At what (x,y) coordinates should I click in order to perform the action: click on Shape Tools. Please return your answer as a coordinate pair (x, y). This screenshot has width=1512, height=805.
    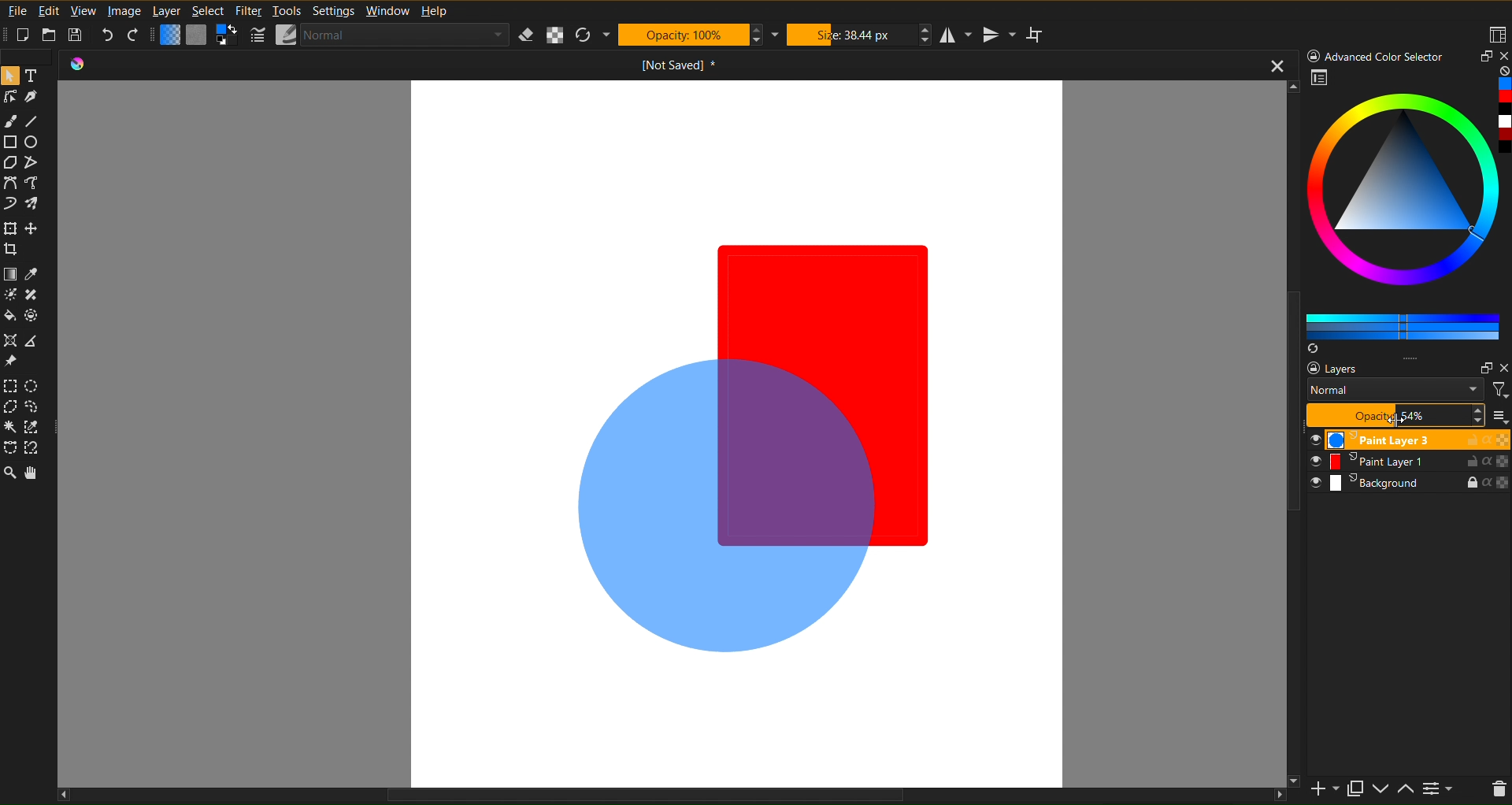
    Looking at the image, I should click on (11, 144).